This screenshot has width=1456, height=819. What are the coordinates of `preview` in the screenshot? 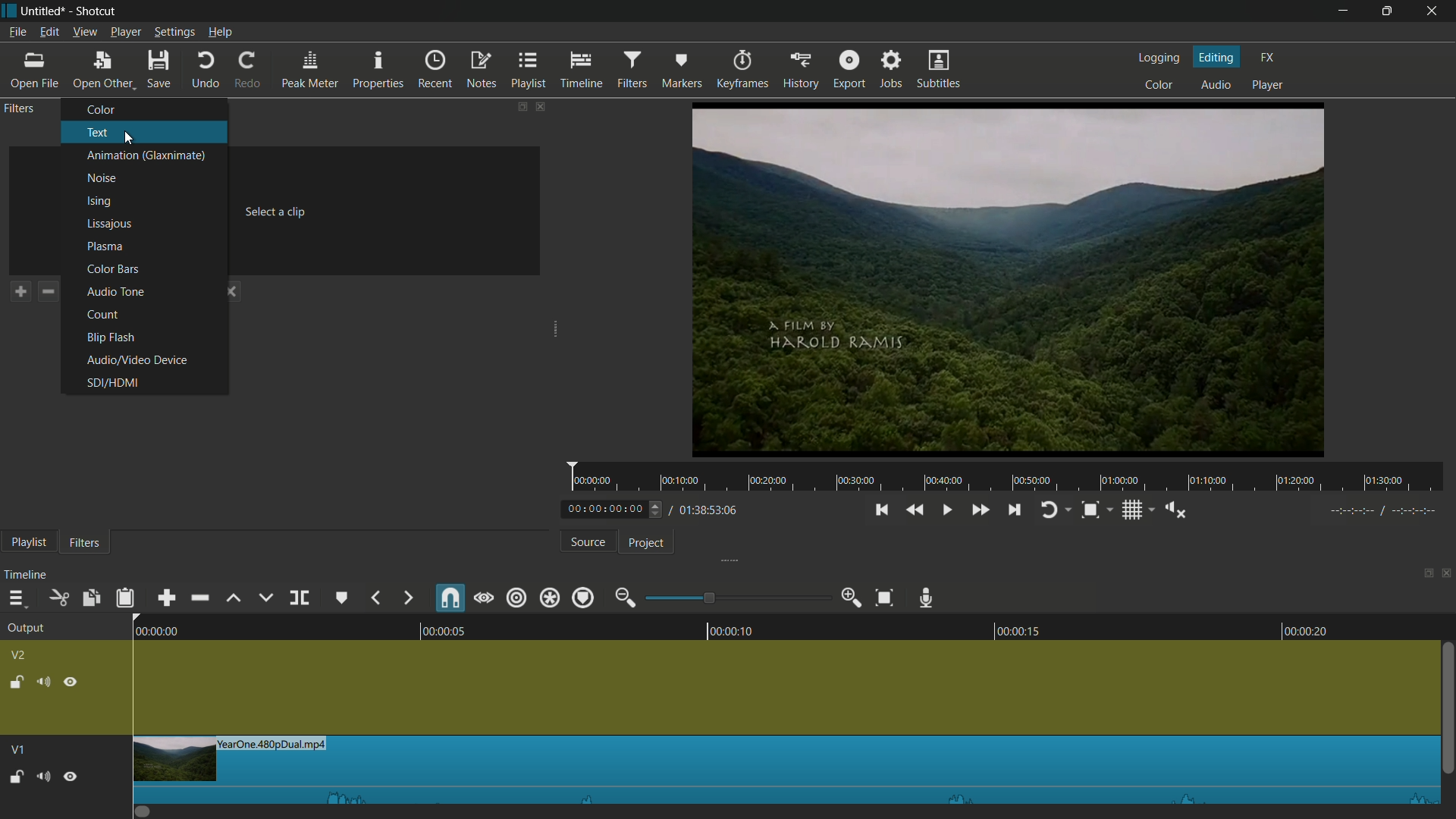 It's located at (1011, 279).